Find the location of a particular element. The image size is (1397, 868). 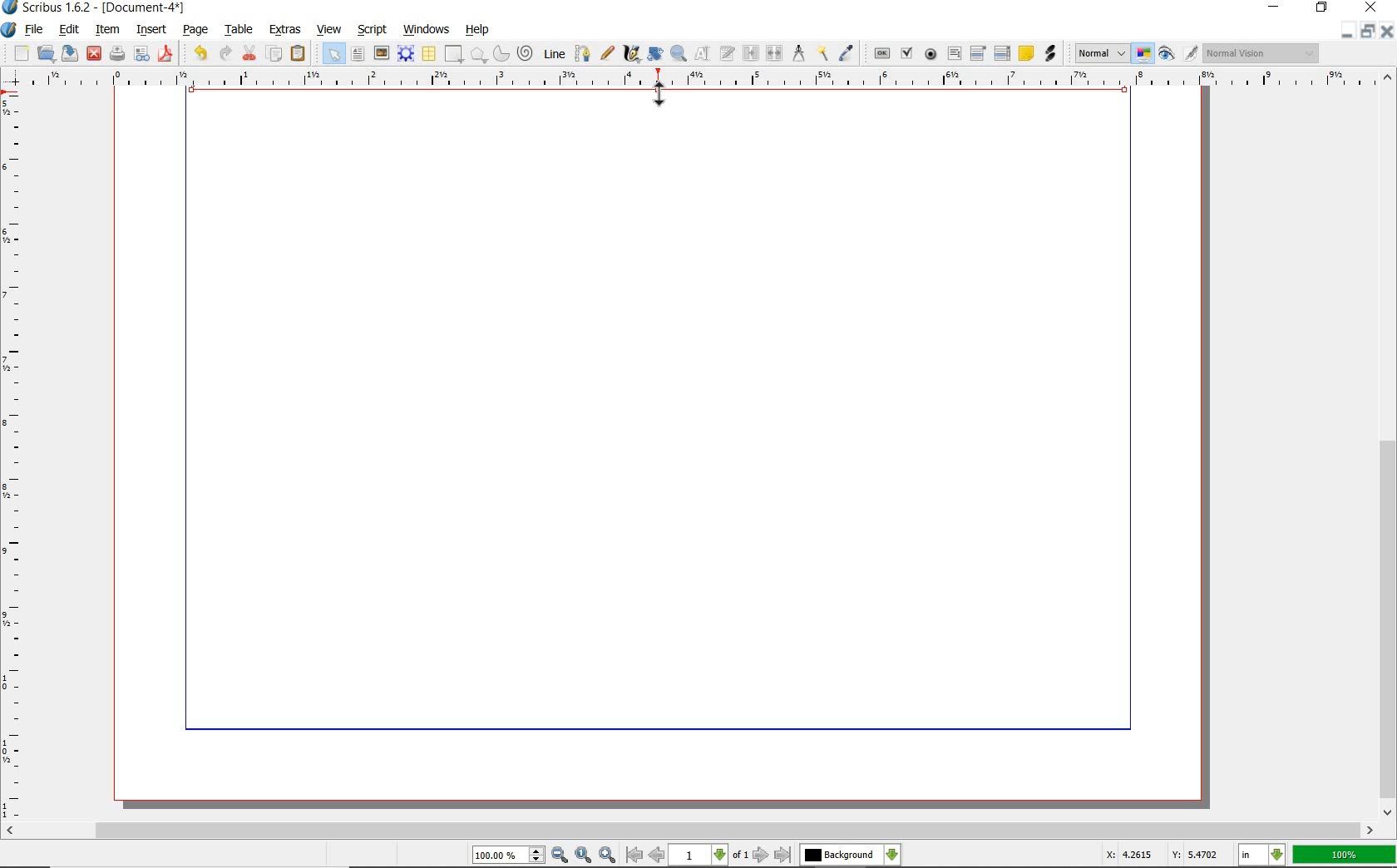

ruler is located at coordinates (15, 457).